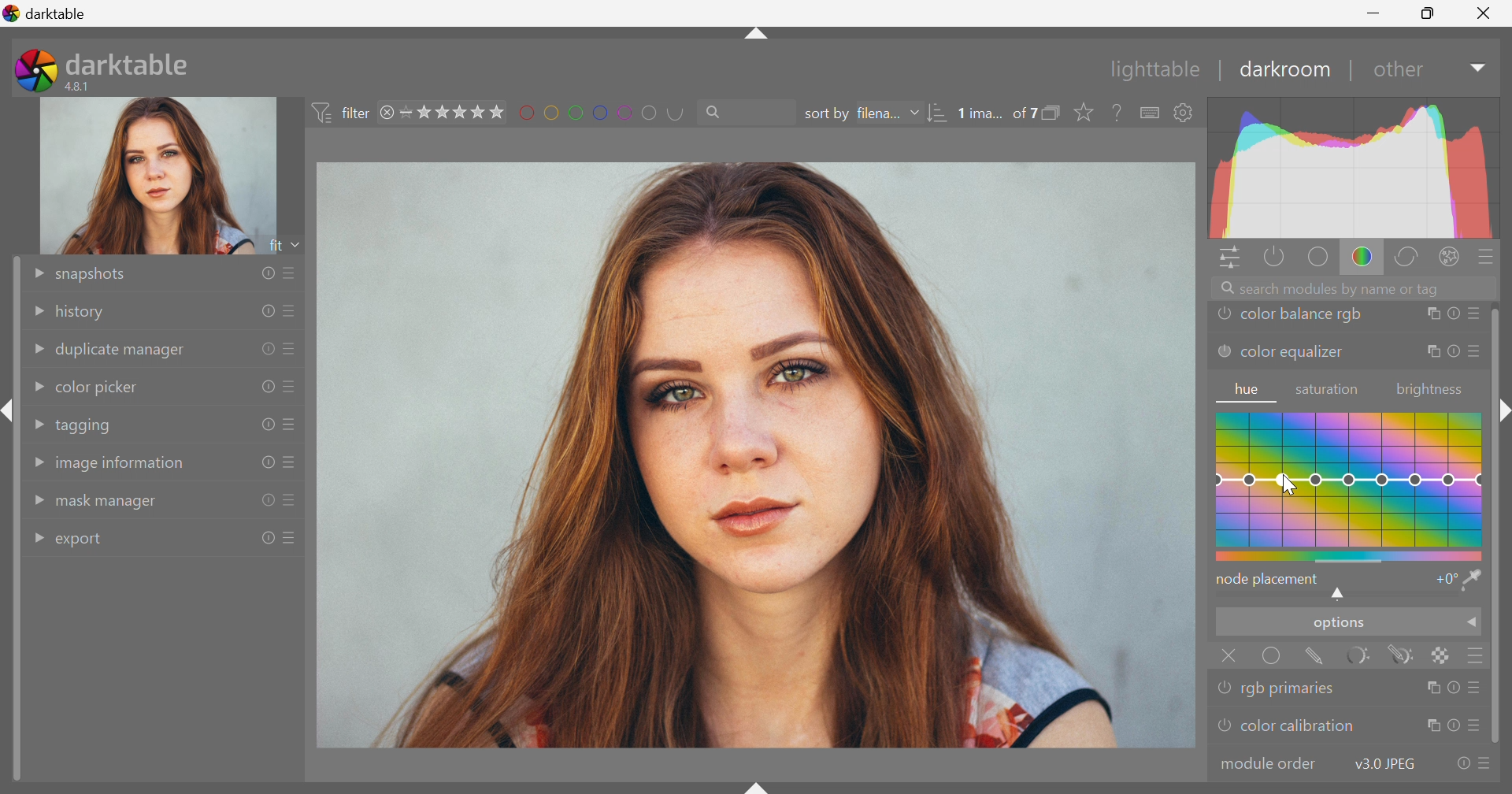  Describe the element at coordinates (1088, 113) in the screenshot. I see `click to change type of overlays shown on thumbnails` at that location.